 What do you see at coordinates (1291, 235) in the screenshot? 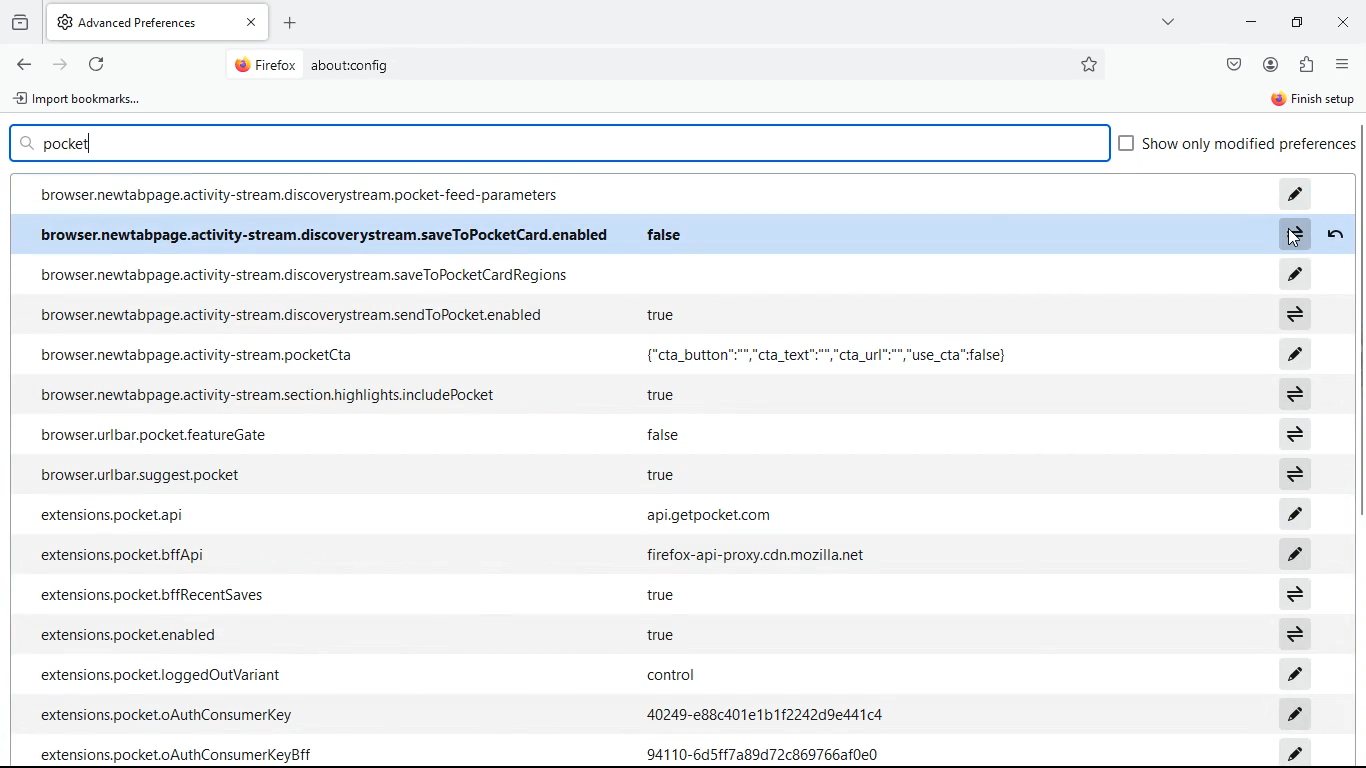
I see `switch` at bounding box center [1291, 235].